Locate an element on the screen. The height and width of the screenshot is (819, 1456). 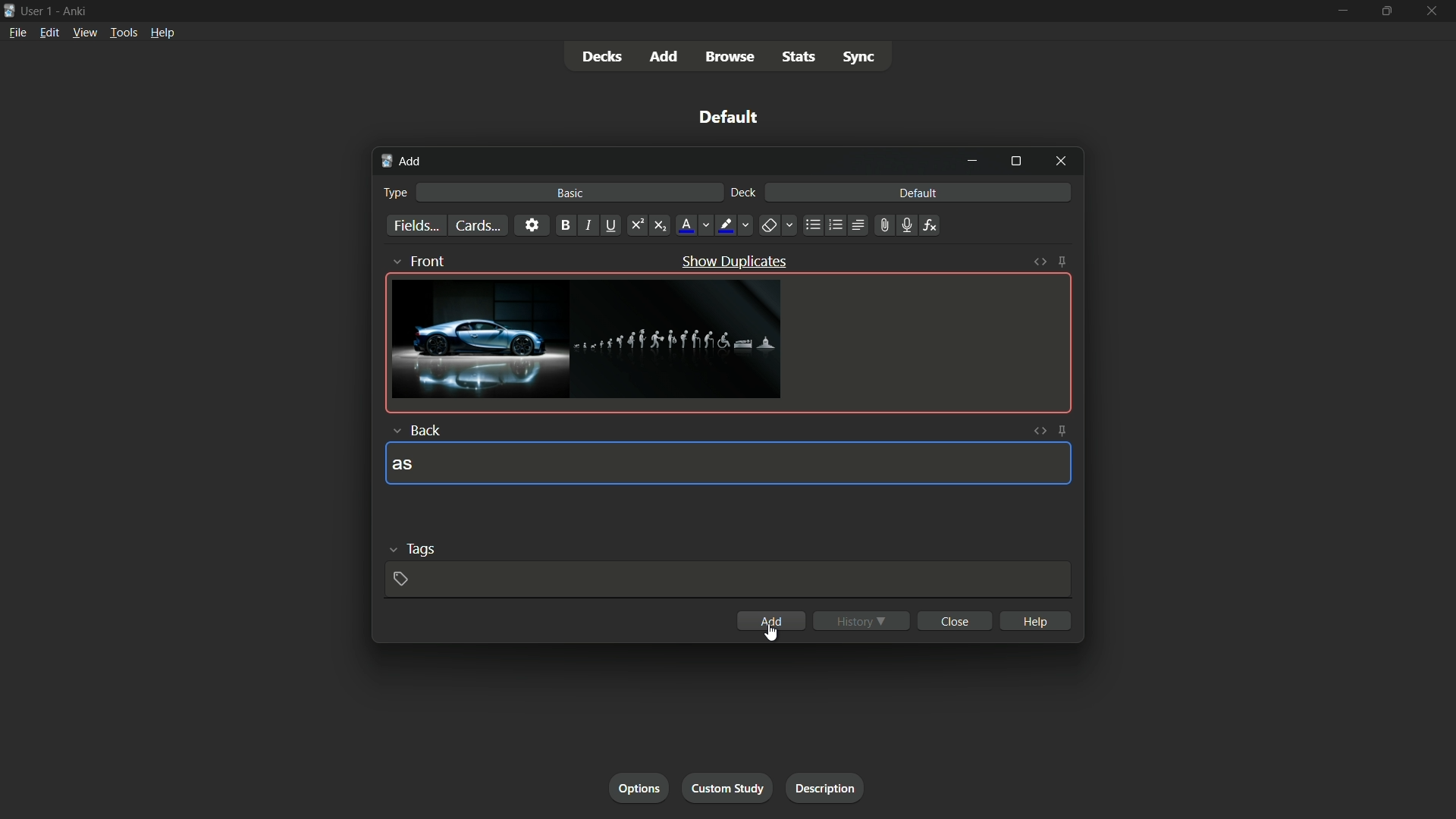
equation is located at coordinates (930, 224).